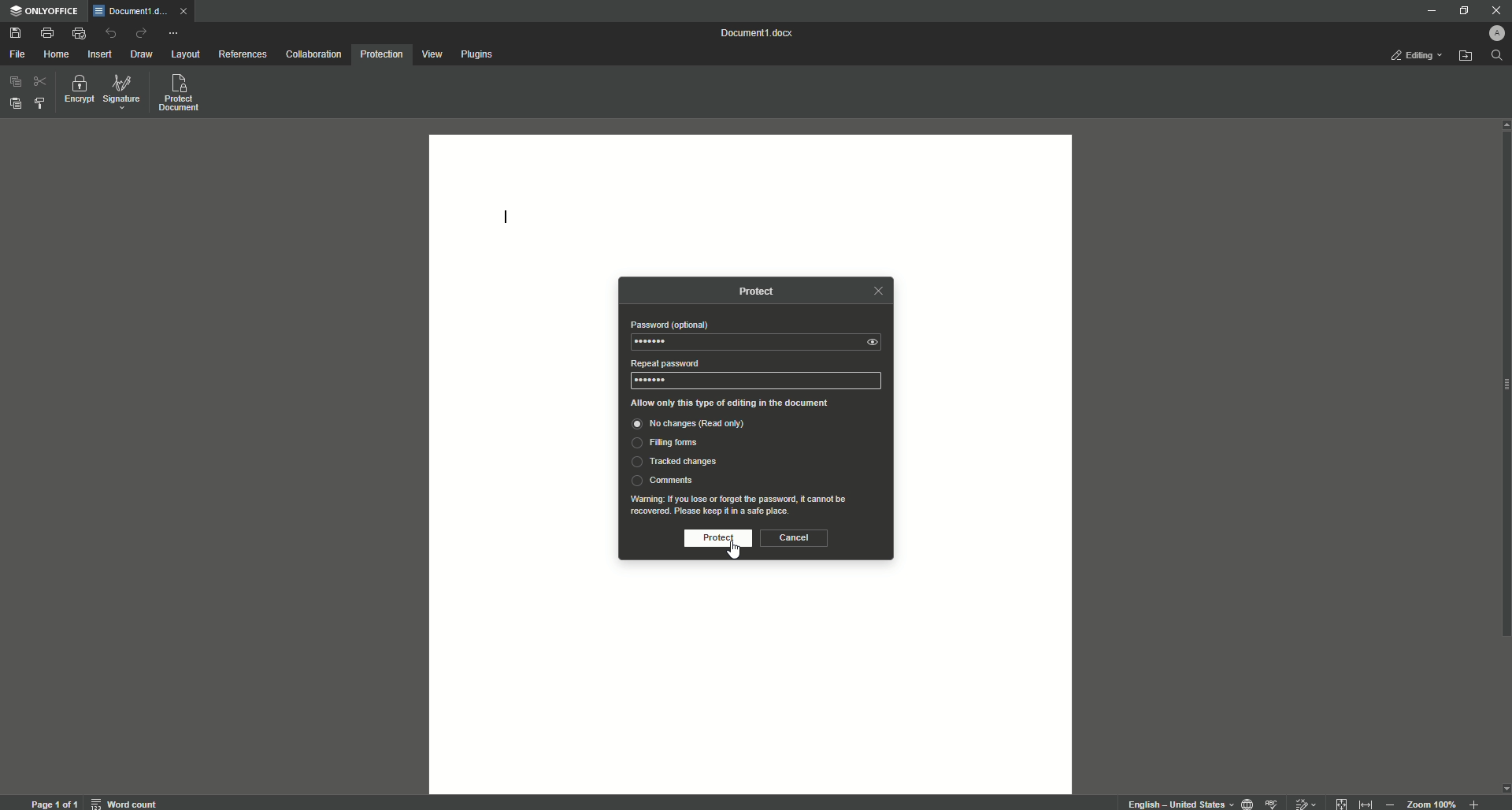 This screenshot has width=1512, height=810. I want to click on Close, so click(1495, 9).